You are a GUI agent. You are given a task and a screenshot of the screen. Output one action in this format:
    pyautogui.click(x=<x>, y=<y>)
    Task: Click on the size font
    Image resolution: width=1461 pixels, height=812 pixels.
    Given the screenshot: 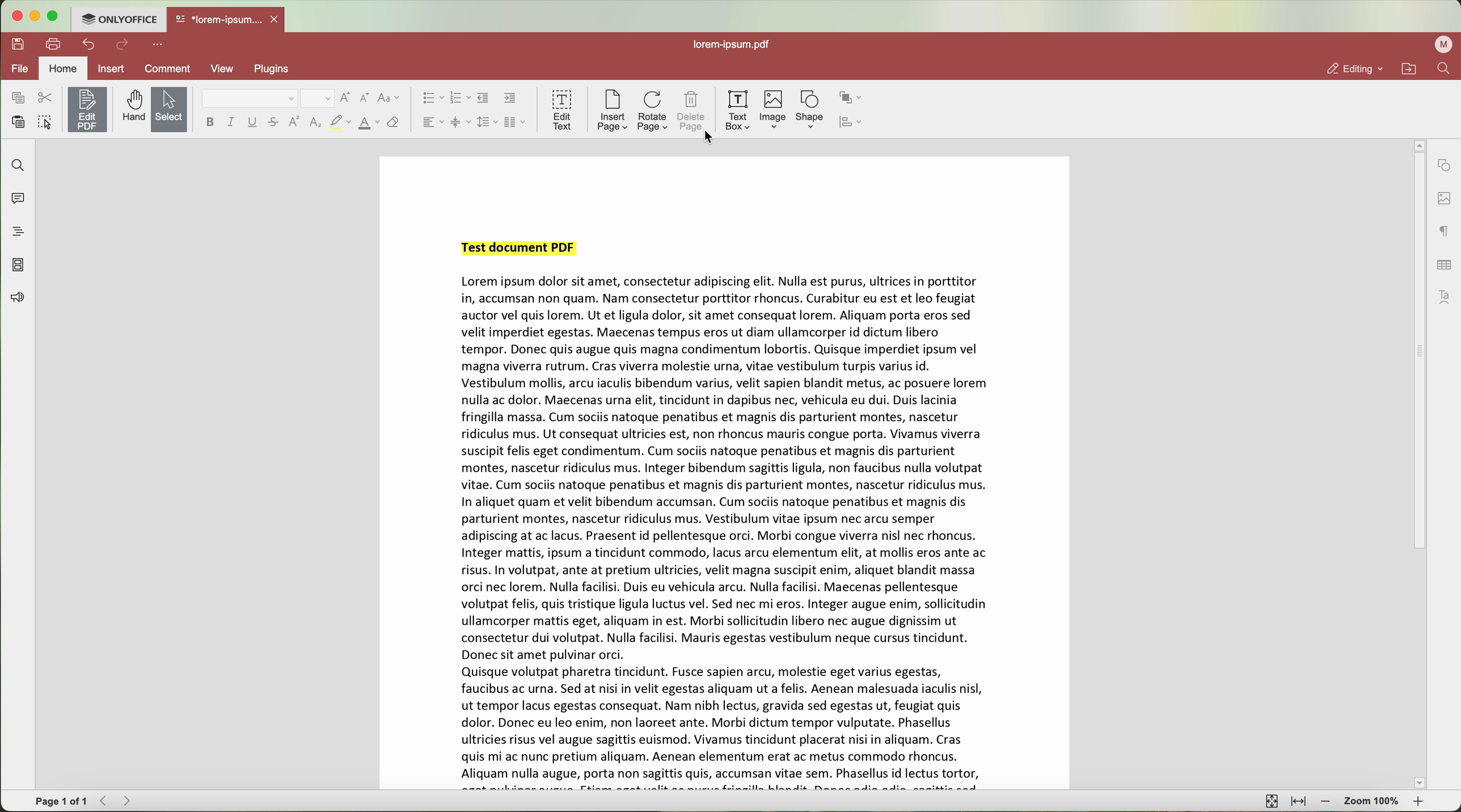 What is the action you would take?
    pyautogui.click(x=318, y=99)
    